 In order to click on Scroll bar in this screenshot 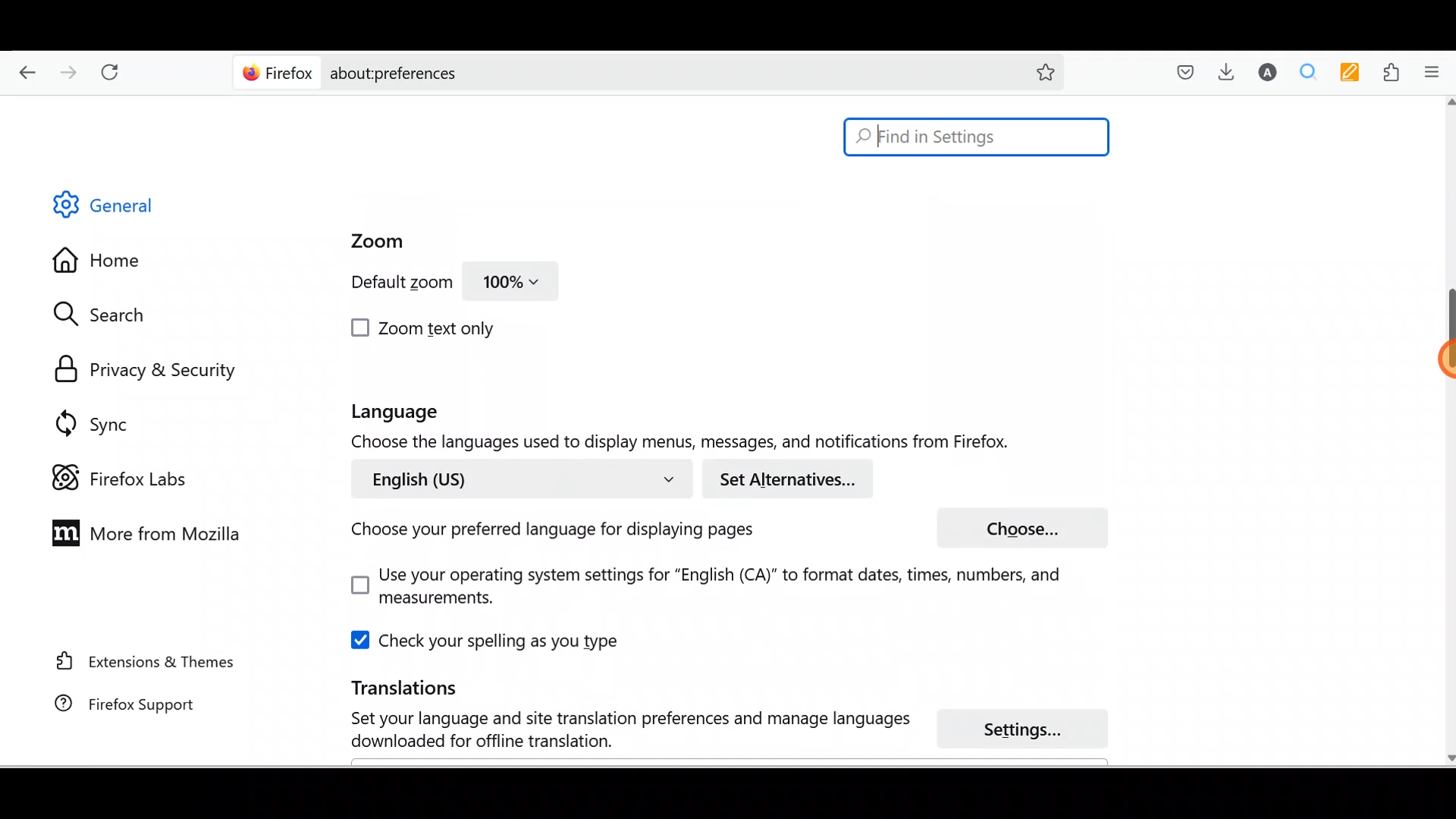, I will do `click(1445, 431)`.